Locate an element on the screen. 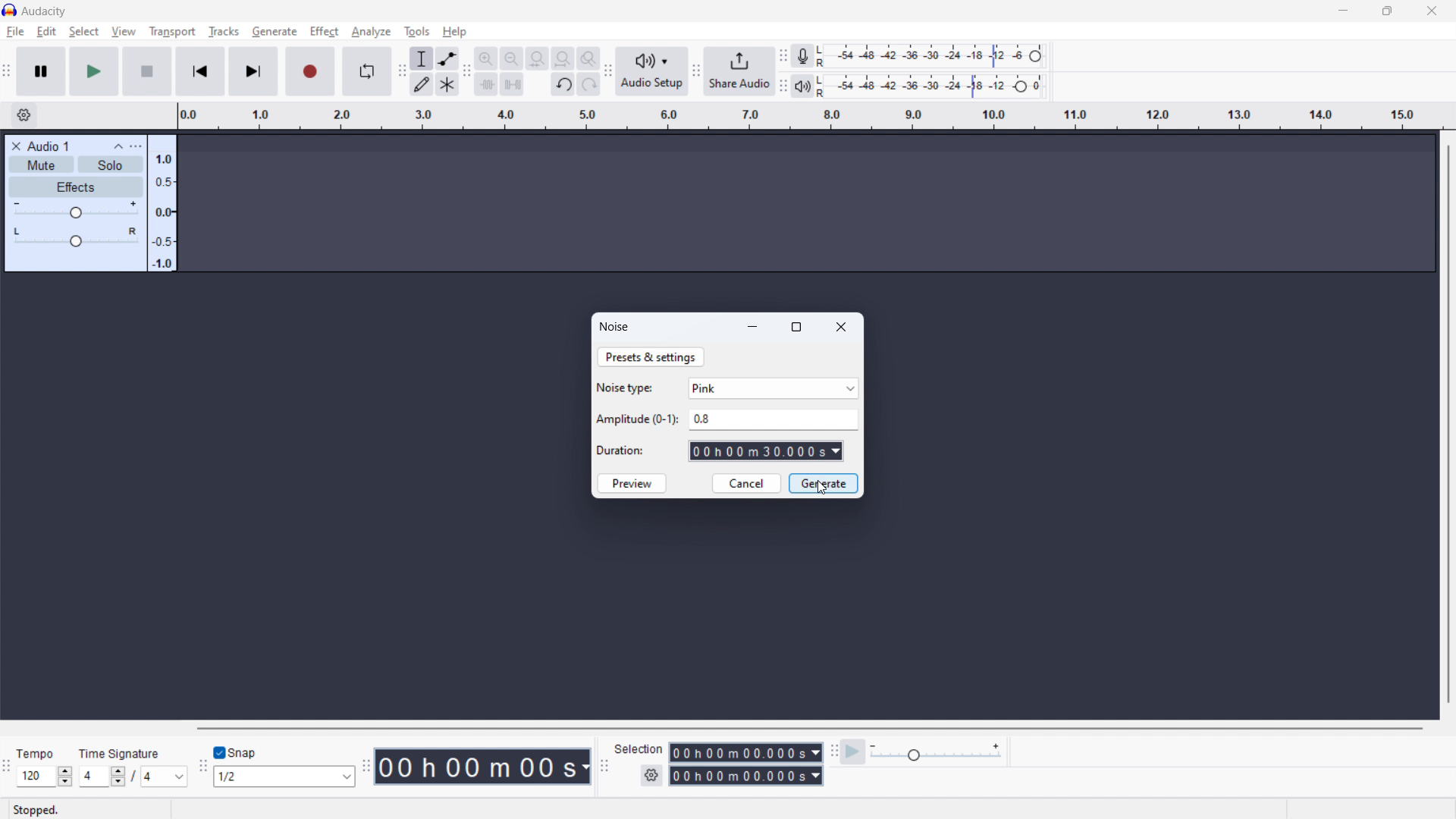  selection settings is located at coordinates (651, 776).